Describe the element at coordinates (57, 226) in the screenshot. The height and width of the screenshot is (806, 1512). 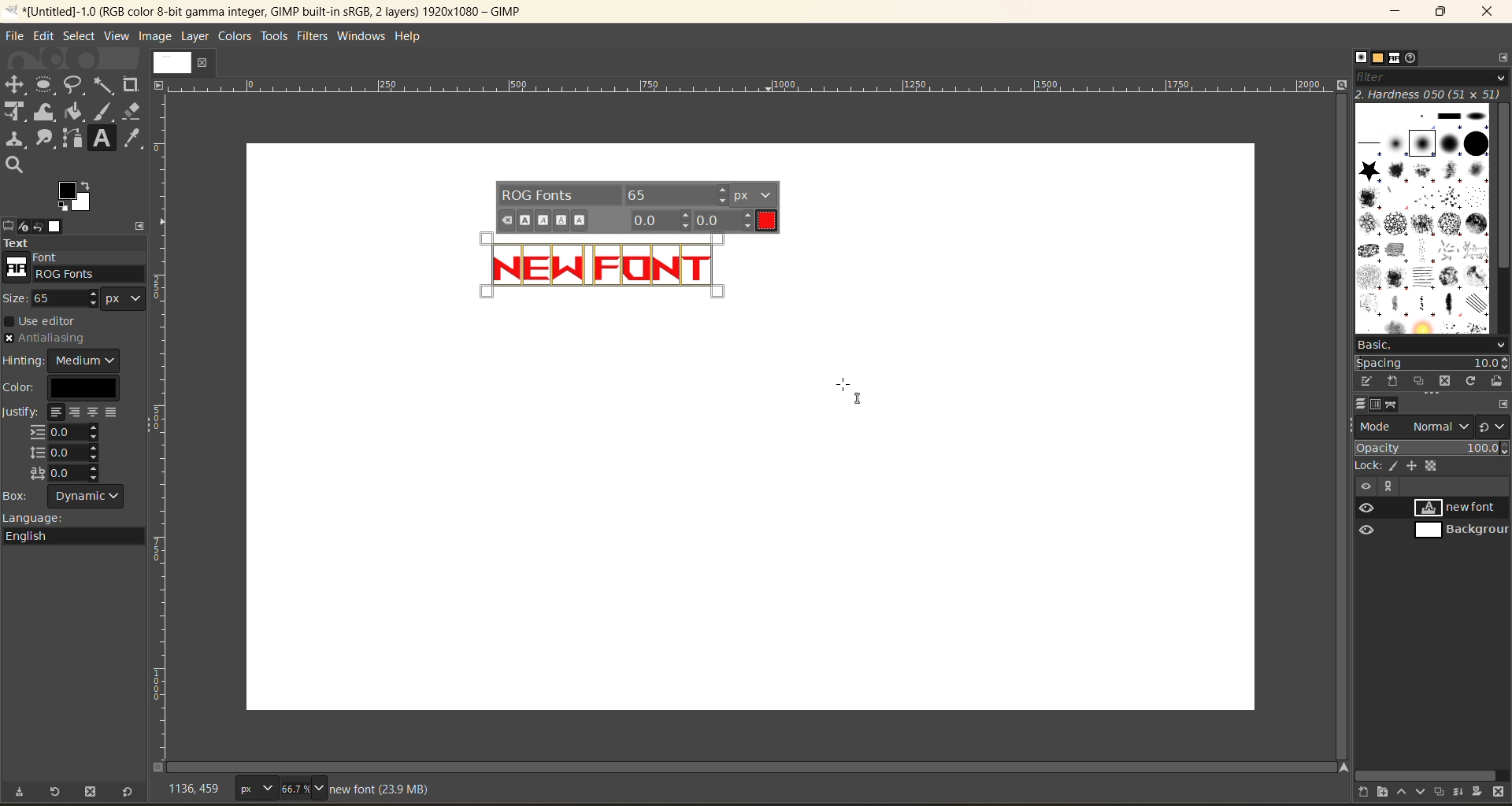
I see `images` at that location.